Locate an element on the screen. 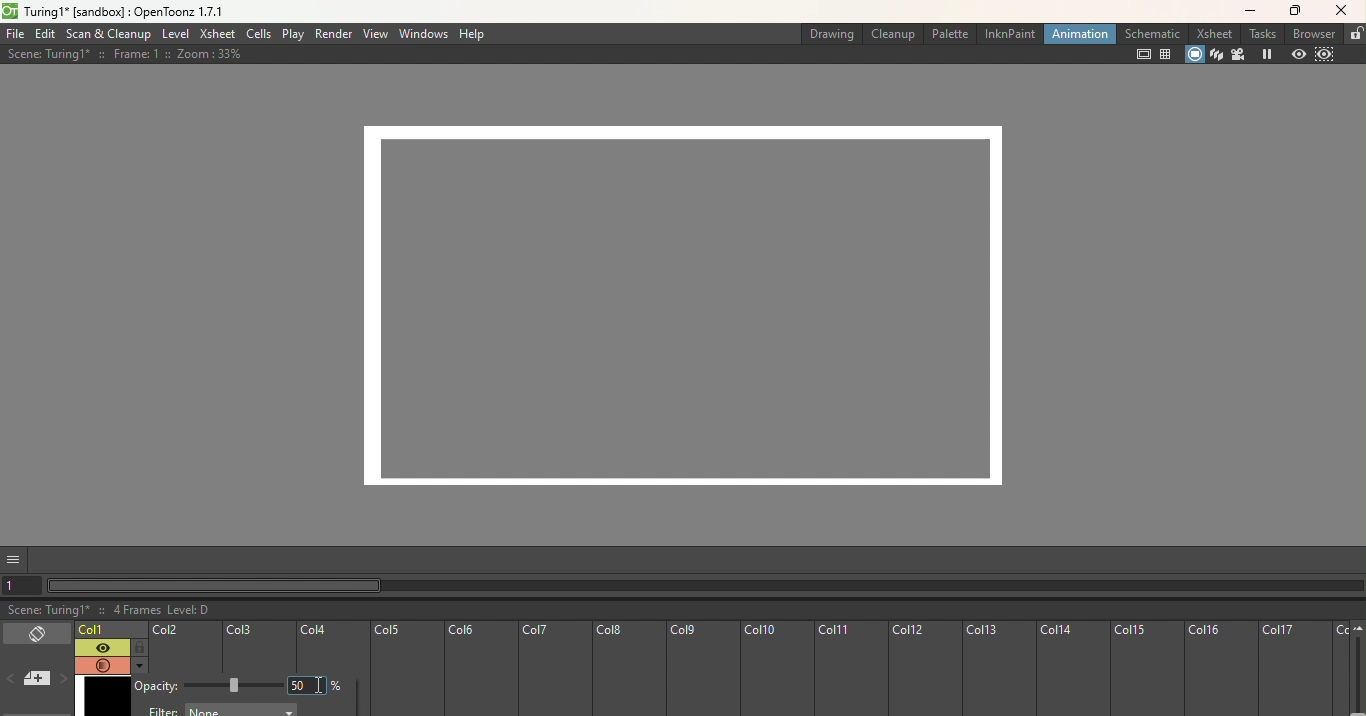  Preview visibility toggle is located at coordinates (100, 647).